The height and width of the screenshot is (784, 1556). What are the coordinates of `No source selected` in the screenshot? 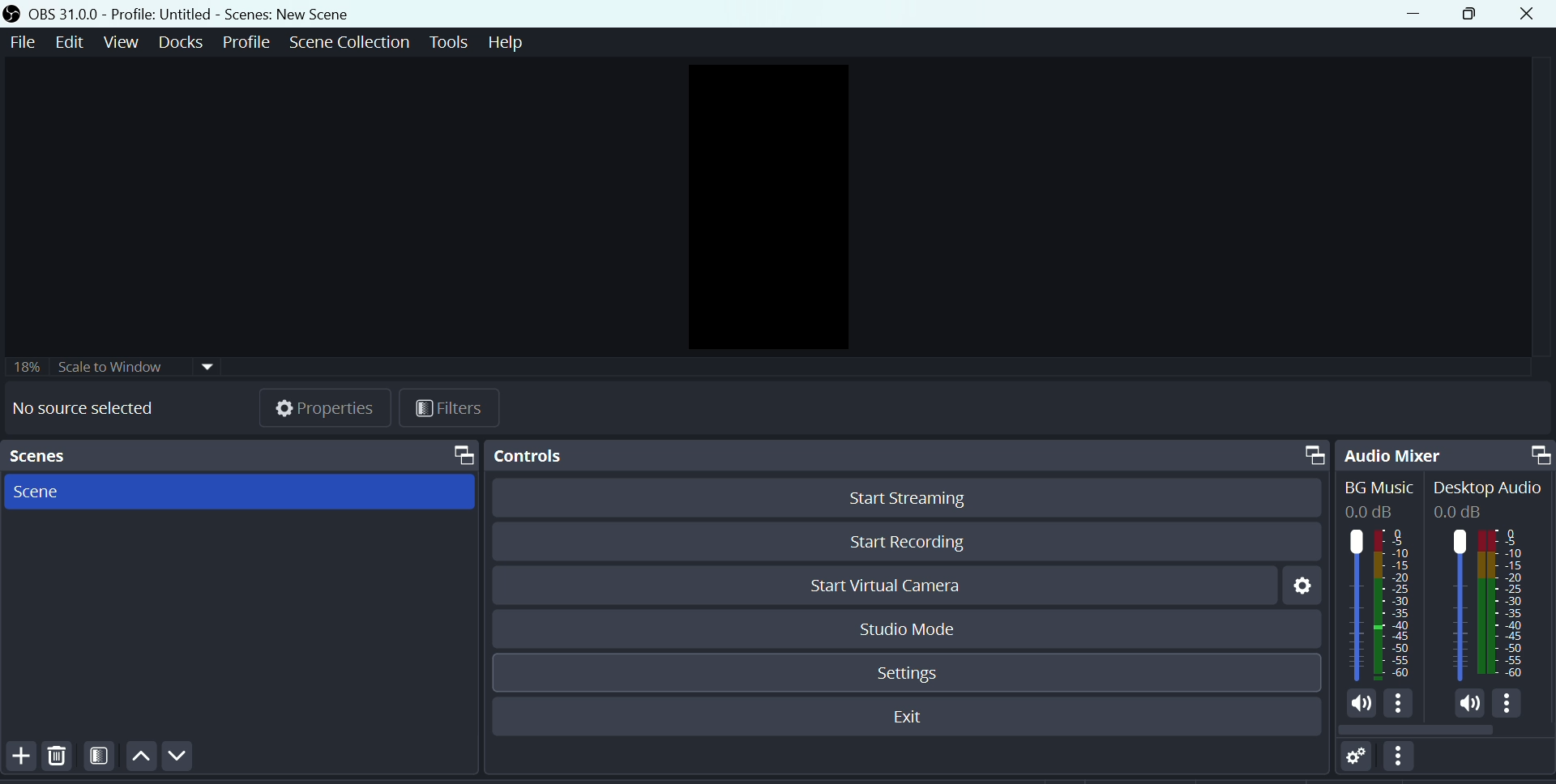 It's located at (79, 409).